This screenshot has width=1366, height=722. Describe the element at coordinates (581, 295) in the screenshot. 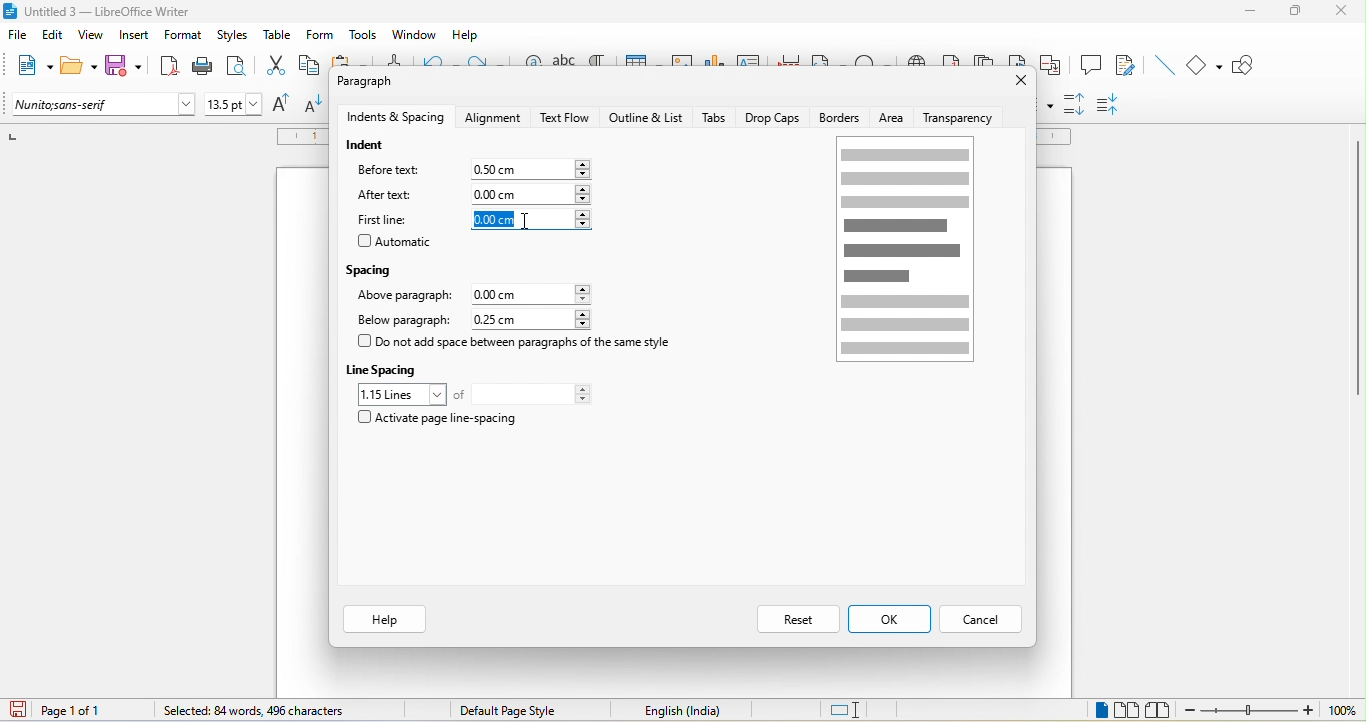

I see `increase or decrease` at that location.